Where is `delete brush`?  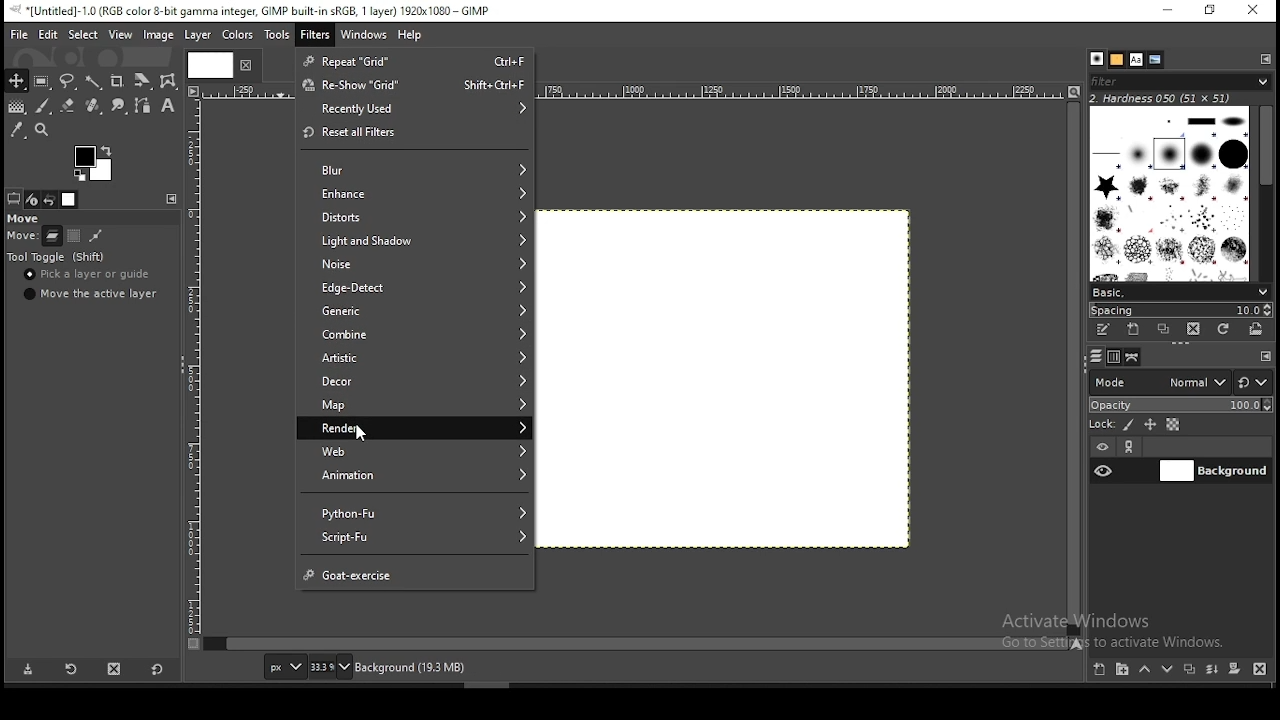 delete brush is located at coordinates (1194, 330).